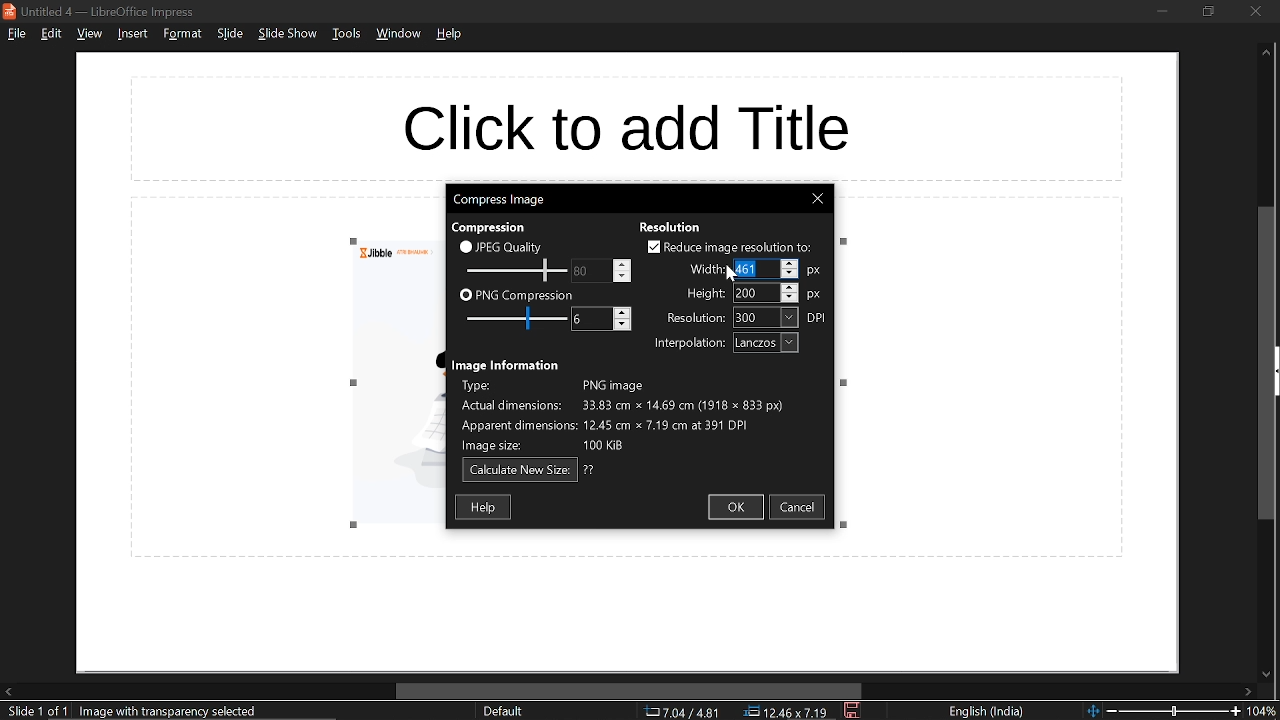 This screenshot has height=720, width=1280. Describe the element at coordinates (288, 36) in the screenshot. I see `slide show` at that location.